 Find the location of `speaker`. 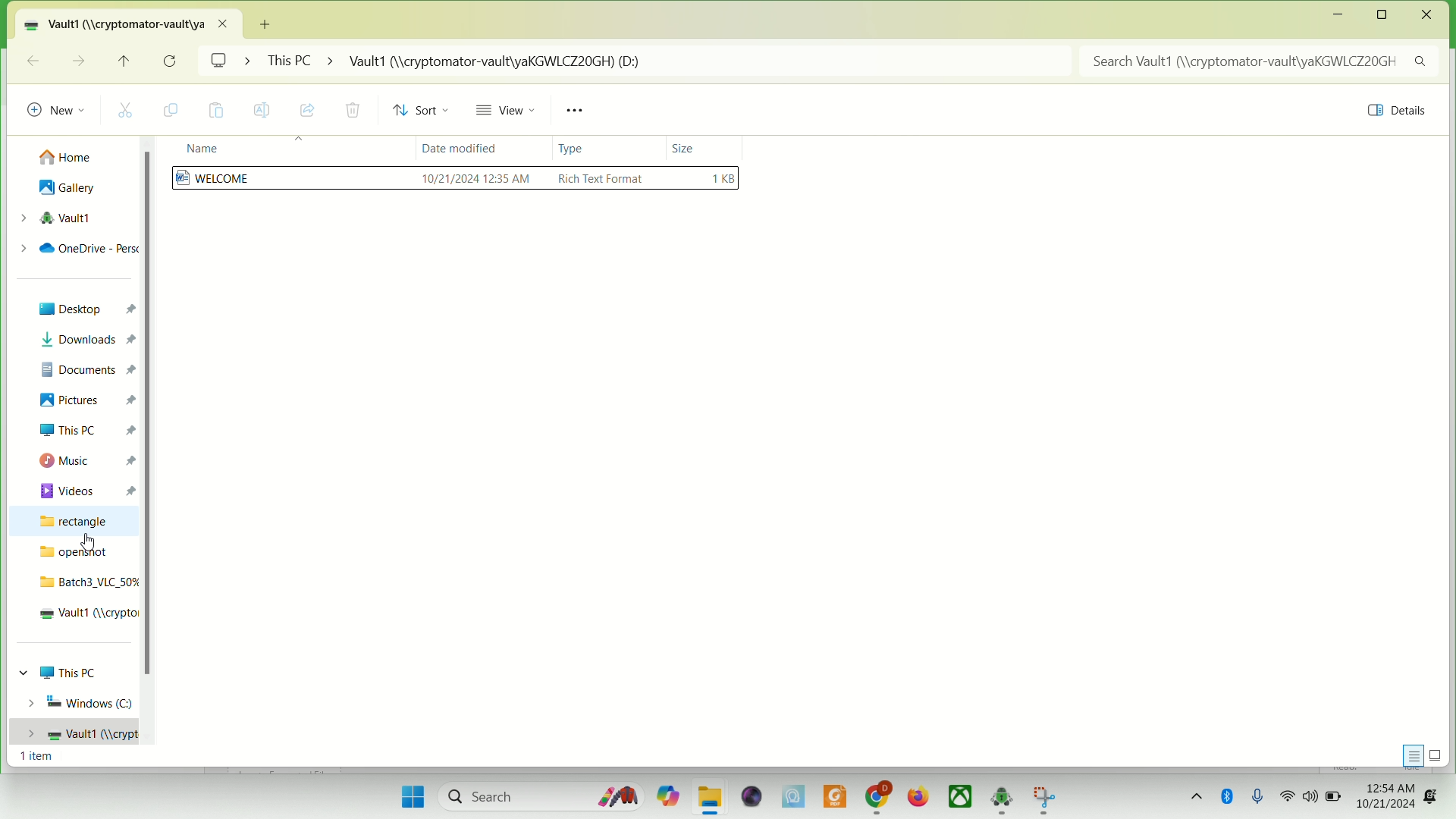

speaker is located at coordinates (1311, 796).